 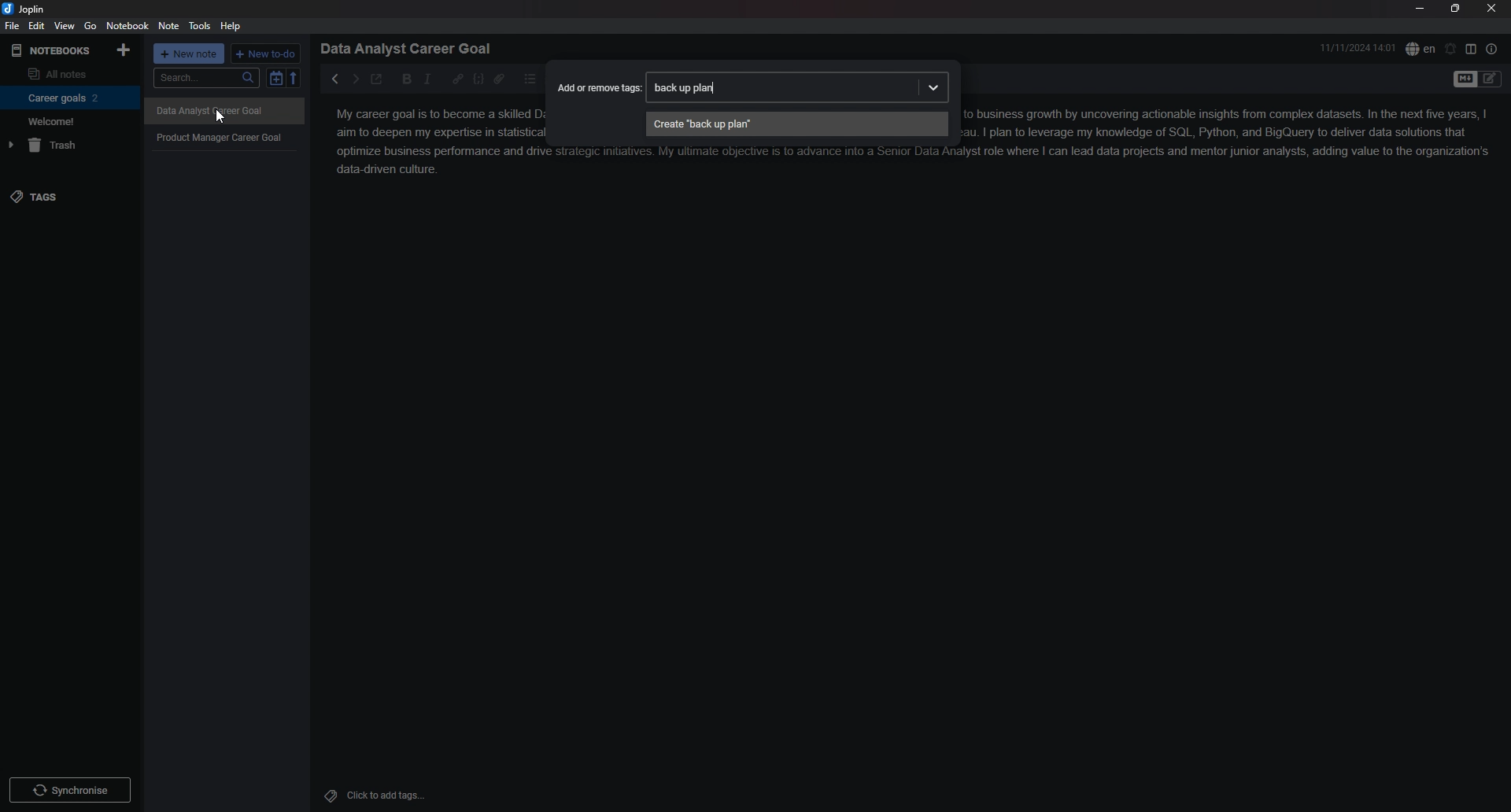 What do you see at coordinates (427, 79) in the screenshot?
I see `italic` at bounding box center [427, 79].